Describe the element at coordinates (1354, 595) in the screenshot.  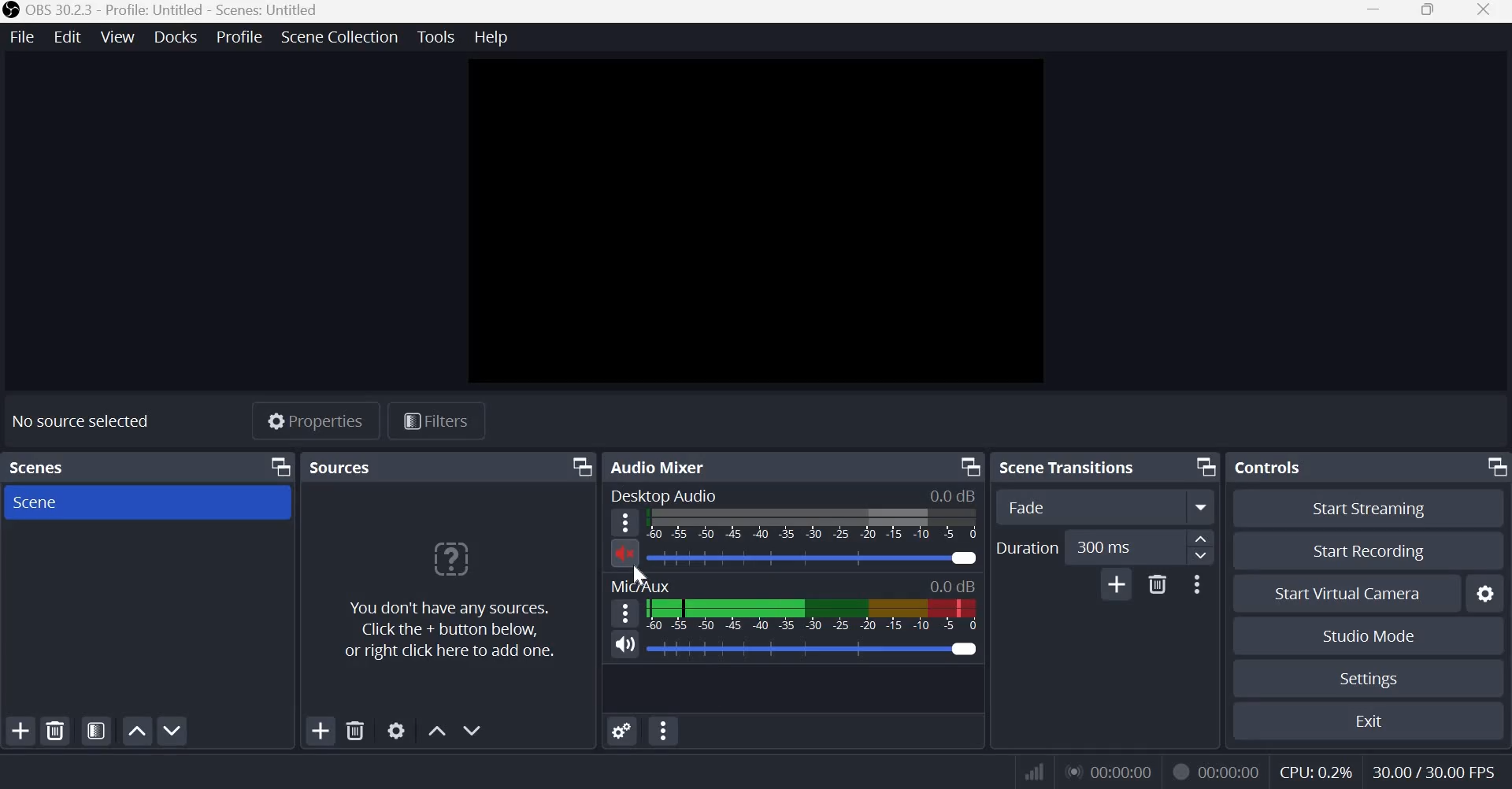
I see `Start Virtual Camera` at that location.